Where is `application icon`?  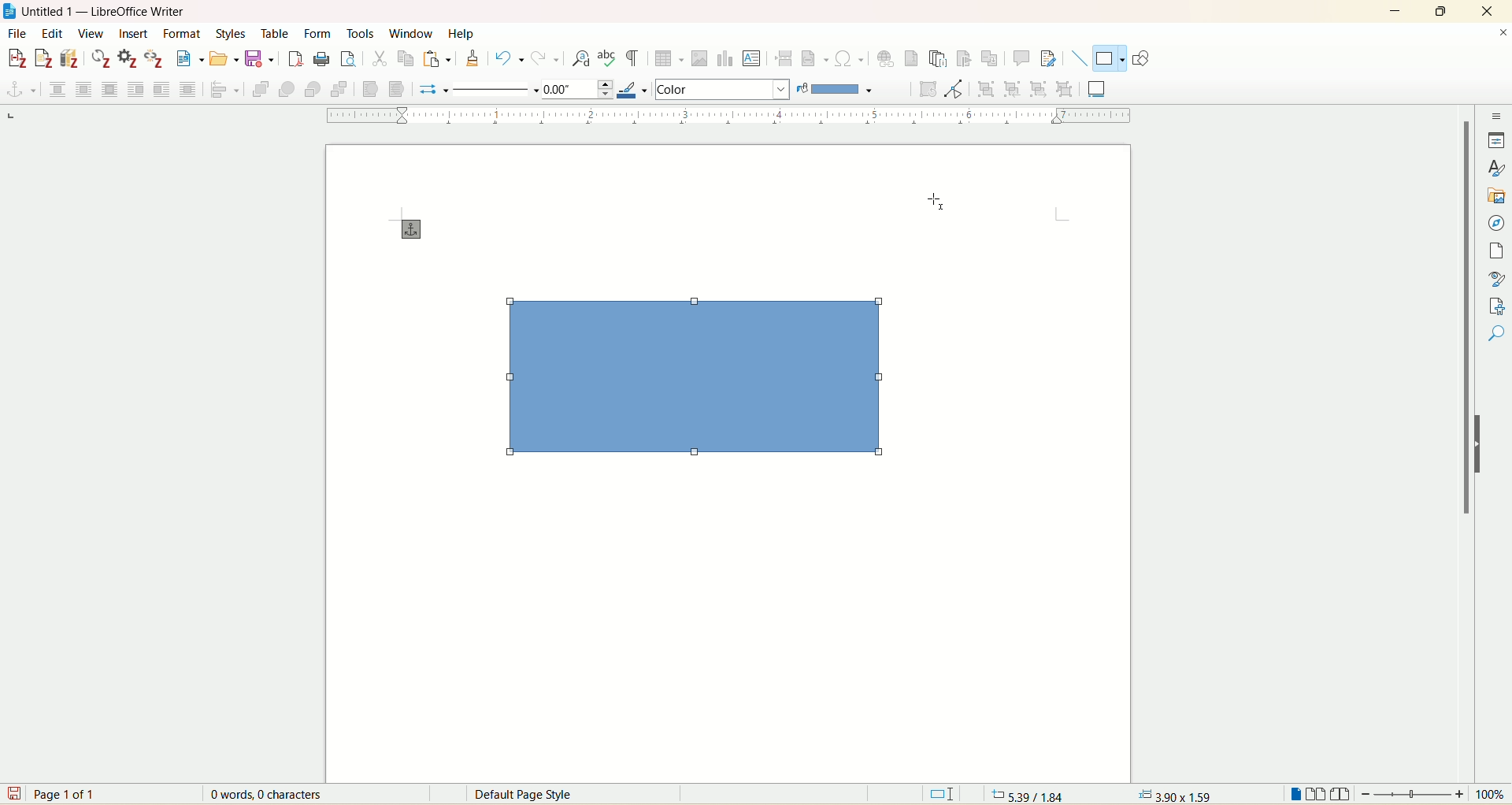
application icon is located at coordinates (10, 10).